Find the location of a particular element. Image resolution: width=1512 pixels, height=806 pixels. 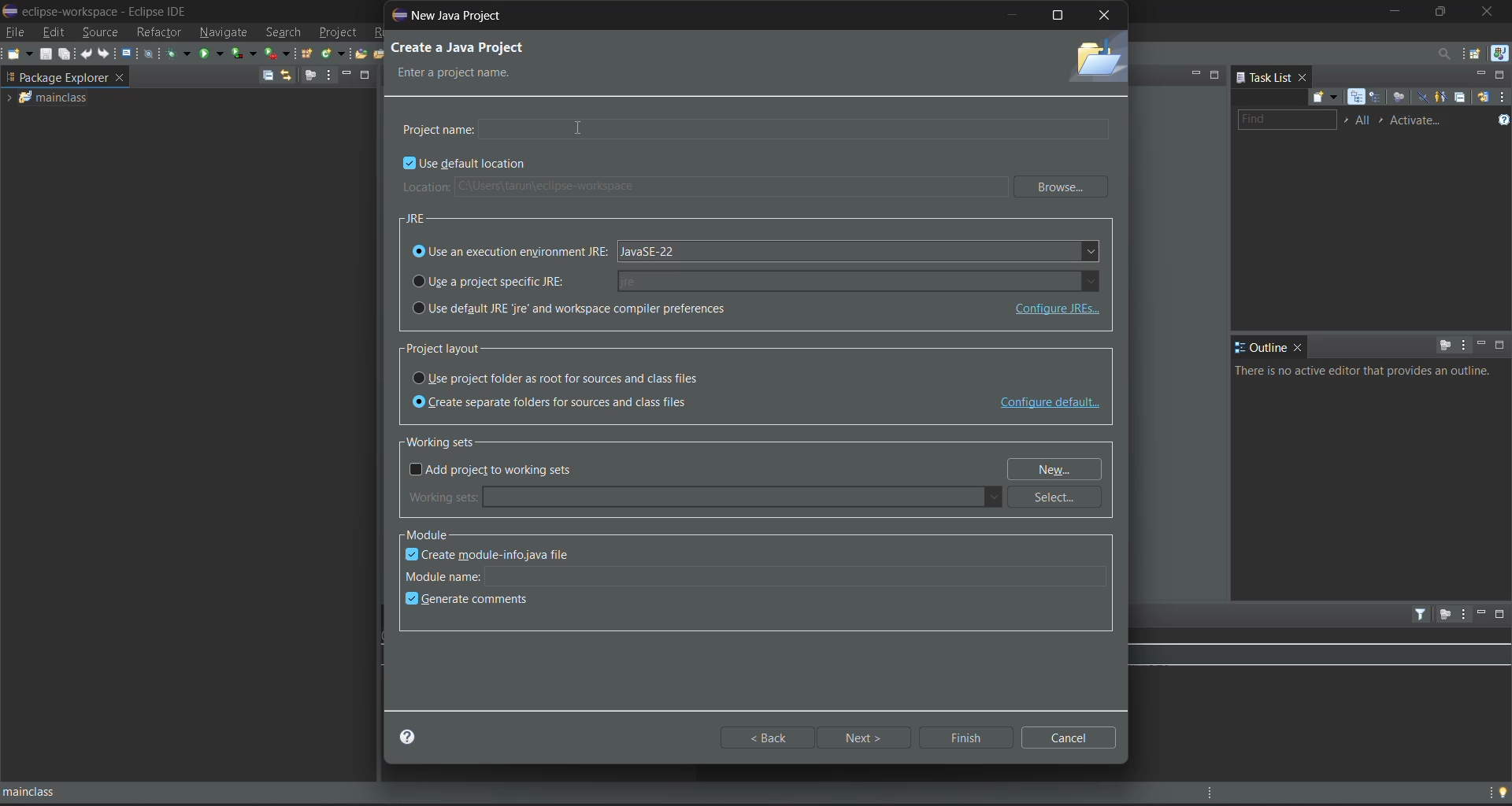

new task is located at coordinates (1322, 97).